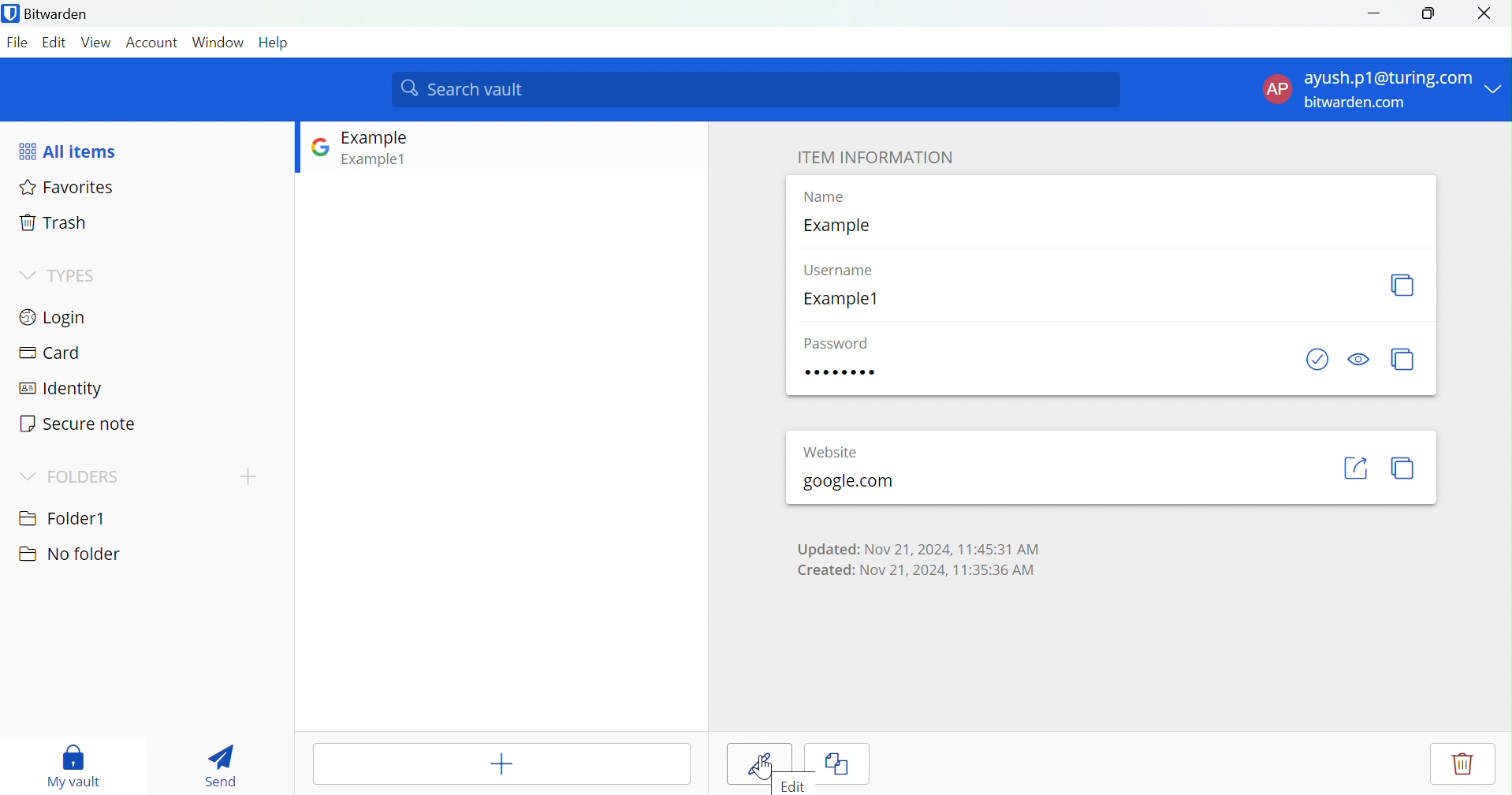  What do you see at coordinates (764, 767) in the screenshot?
I see `Cursor` at bounding box center [764, 767].